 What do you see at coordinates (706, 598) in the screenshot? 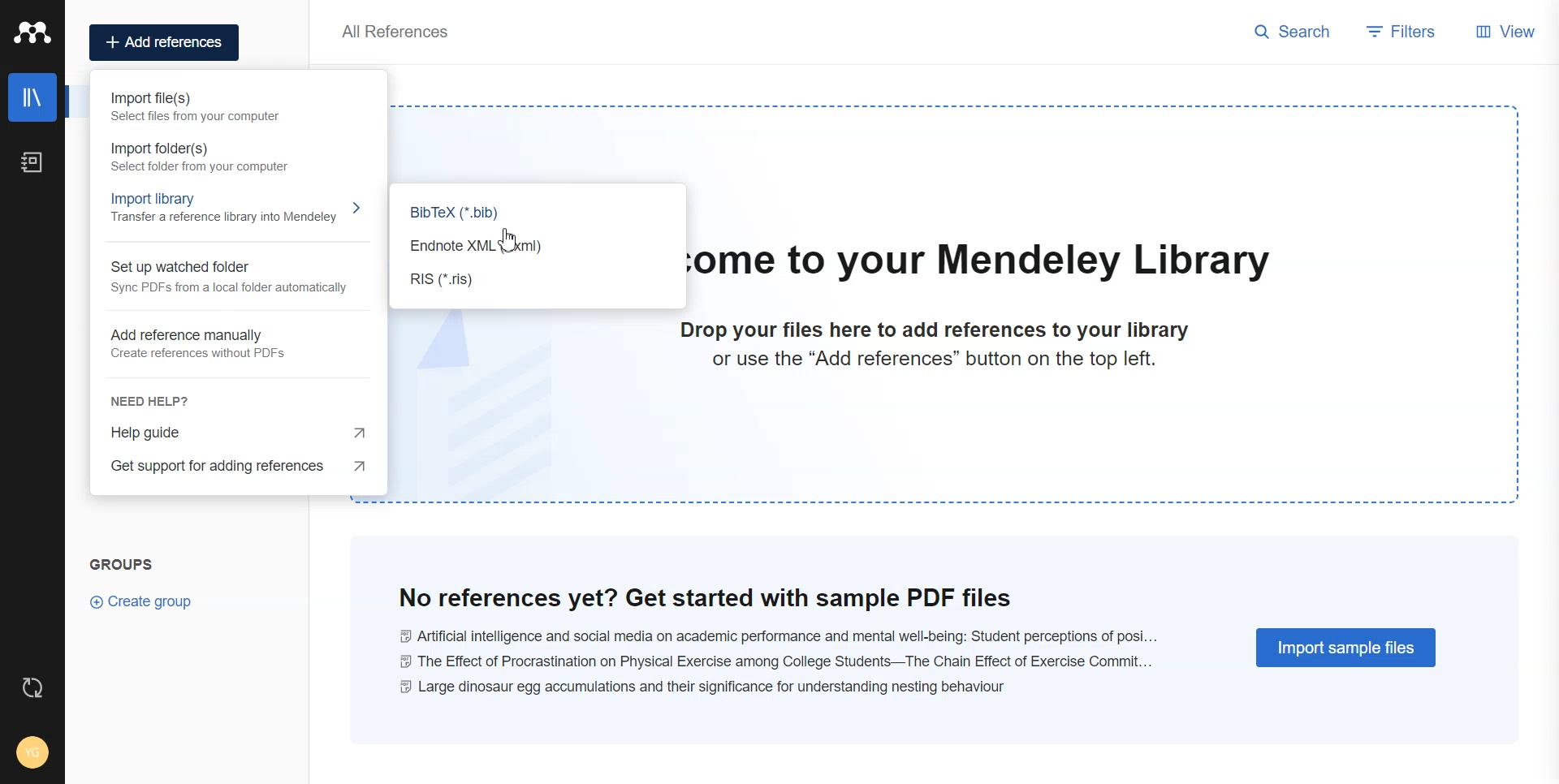
I see `No references yet? Get started with sample PDF files` at bounding box center [706, 598].